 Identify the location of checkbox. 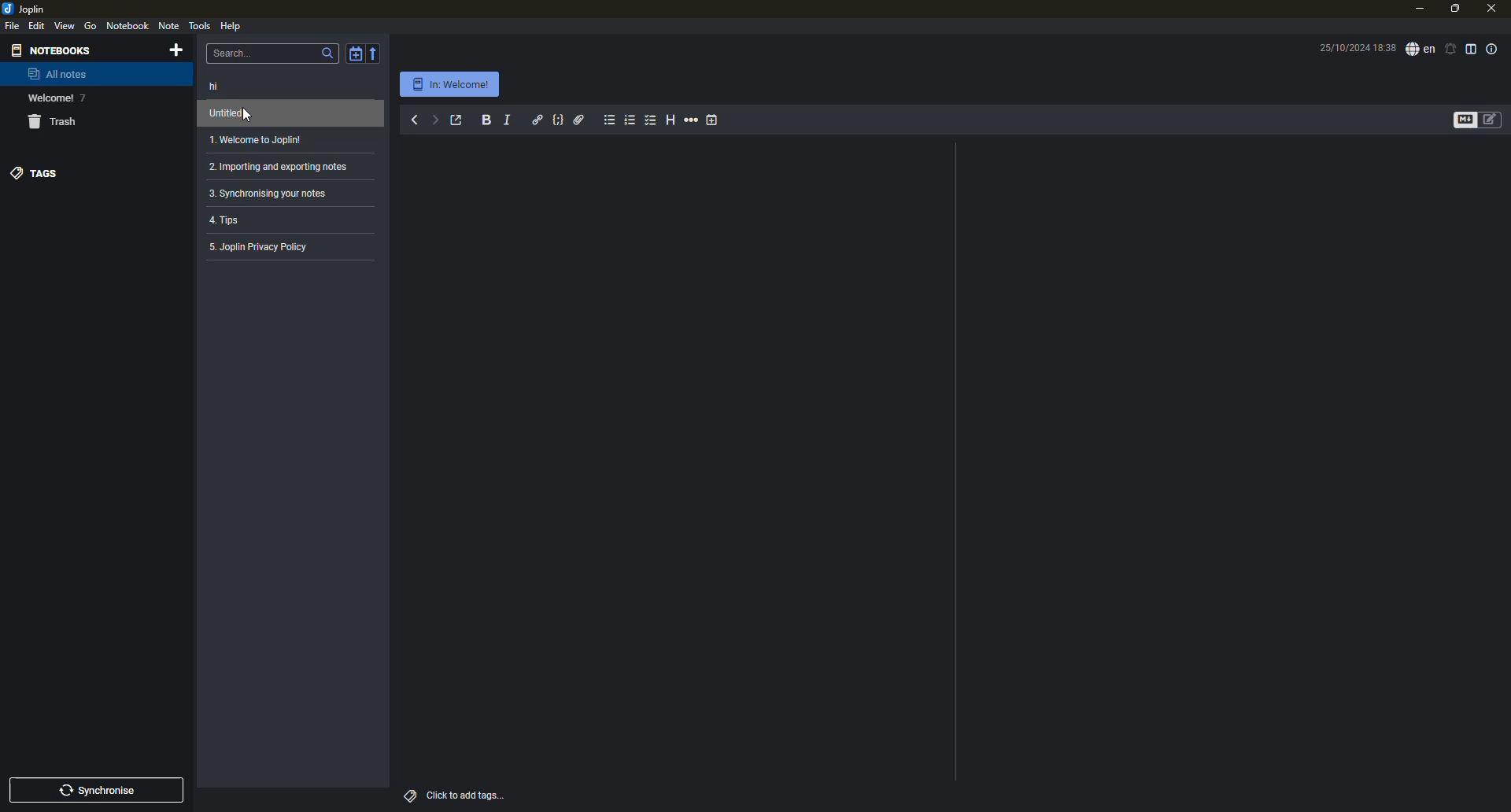
(651, 120).